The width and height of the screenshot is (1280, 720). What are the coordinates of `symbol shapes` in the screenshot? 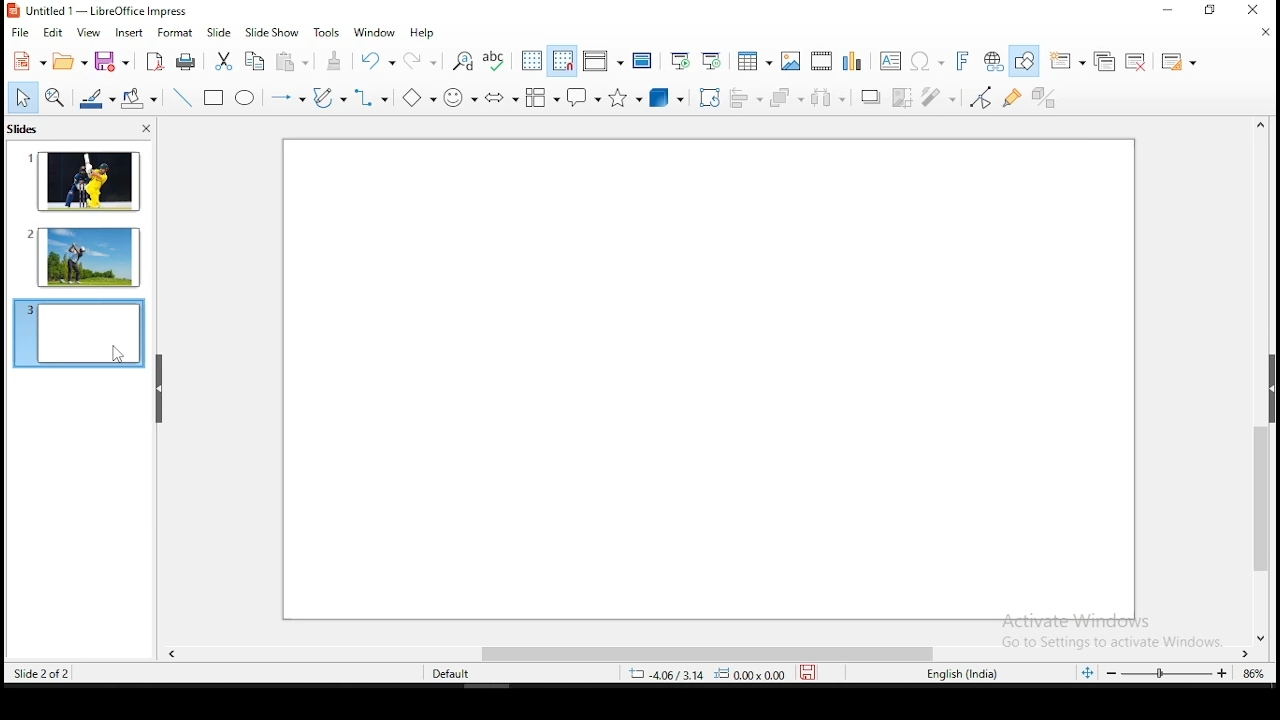 It's located at (459, 97).